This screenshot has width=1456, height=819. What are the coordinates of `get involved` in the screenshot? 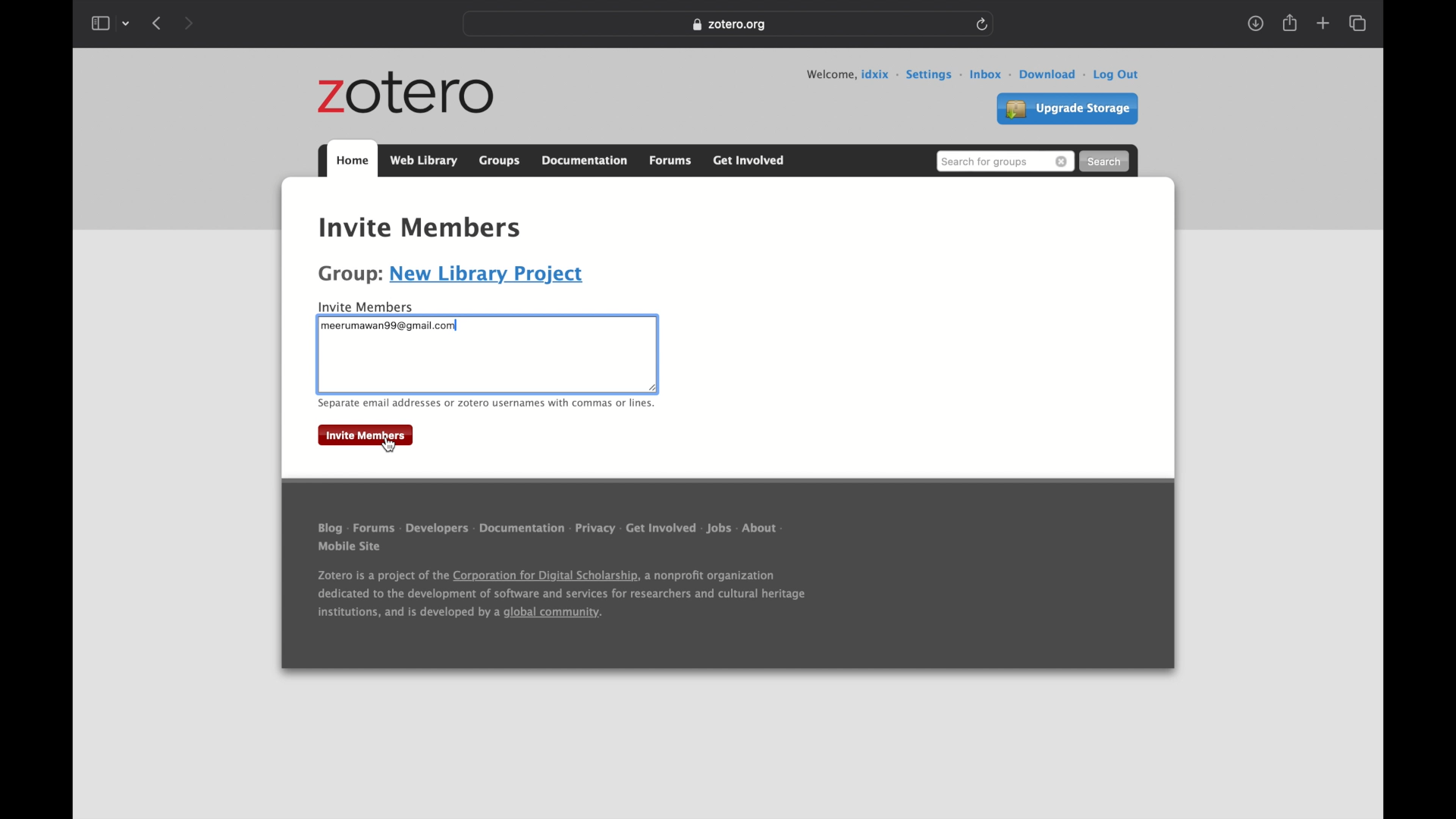 It's located at (748, 158).